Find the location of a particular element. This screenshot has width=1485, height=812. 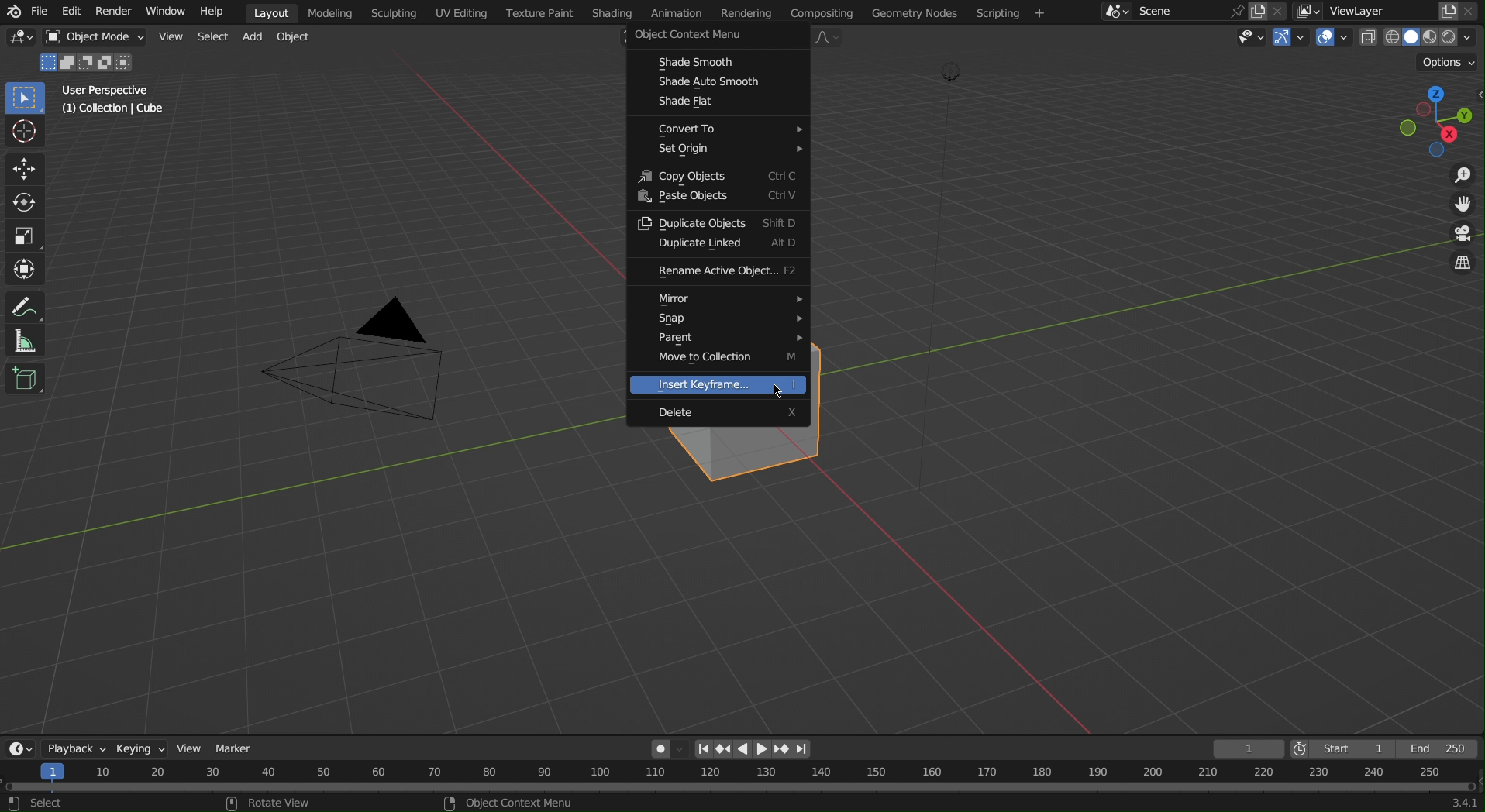

View Object Types is located at coordinates (1253, 38).